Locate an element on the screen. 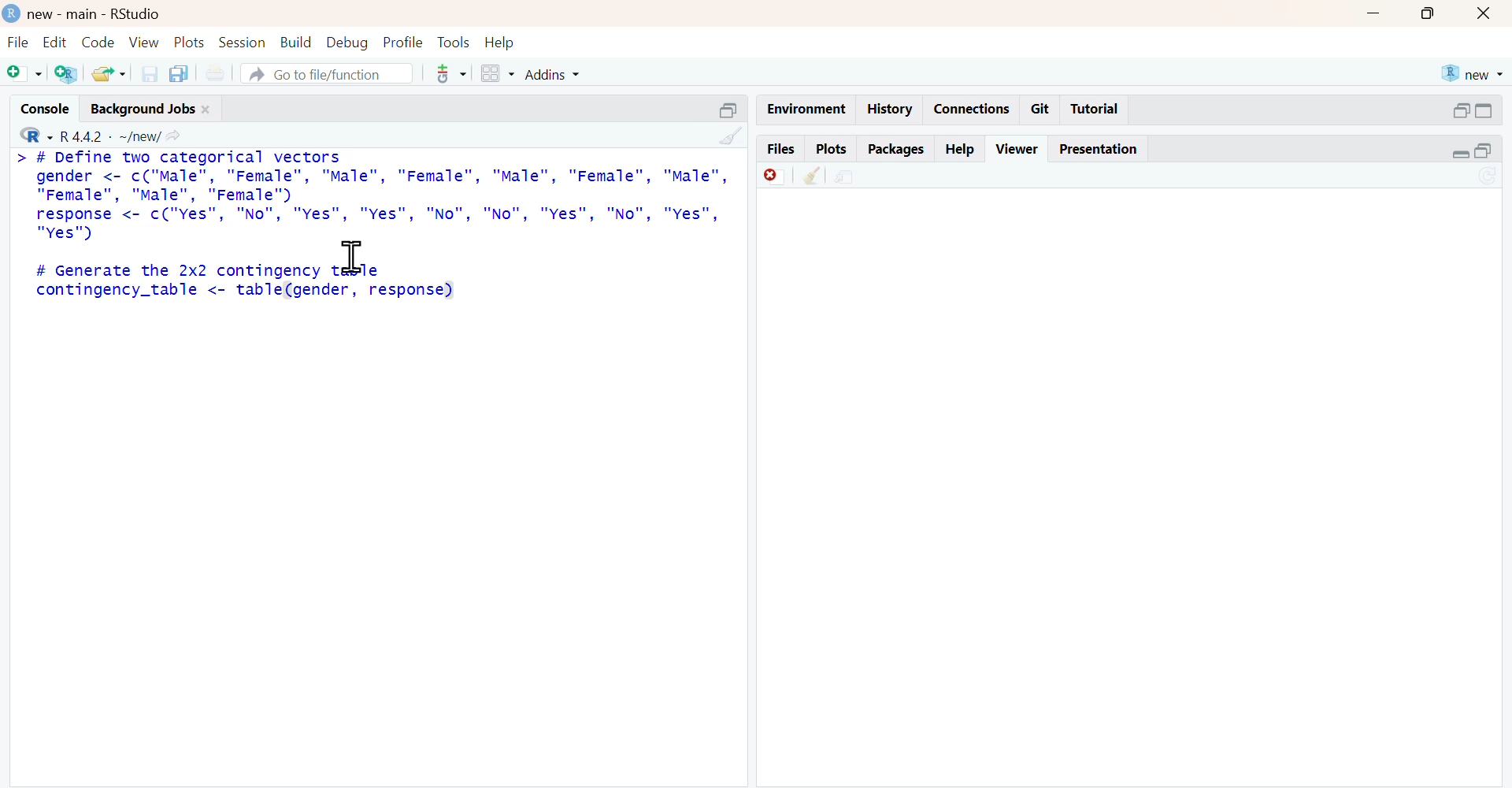  edit is located at coordinates (57, 43).